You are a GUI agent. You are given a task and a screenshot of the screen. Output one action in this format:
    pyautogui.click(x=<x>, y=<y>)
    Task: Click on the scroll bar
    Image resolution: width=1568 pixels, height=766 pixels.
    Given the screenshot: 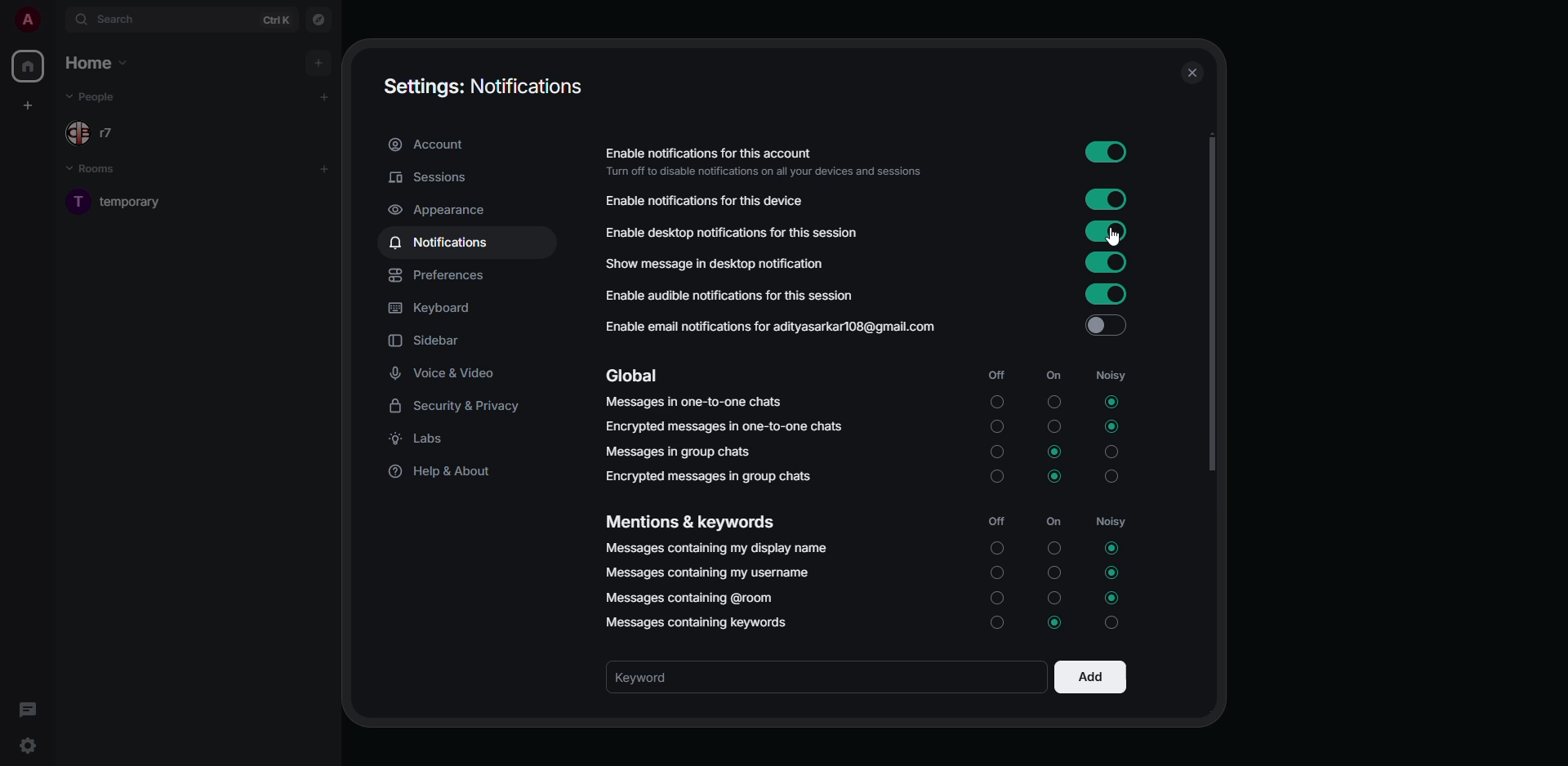 What is the action you would take?
    pyautogui.click(x=1211, y=308)
    